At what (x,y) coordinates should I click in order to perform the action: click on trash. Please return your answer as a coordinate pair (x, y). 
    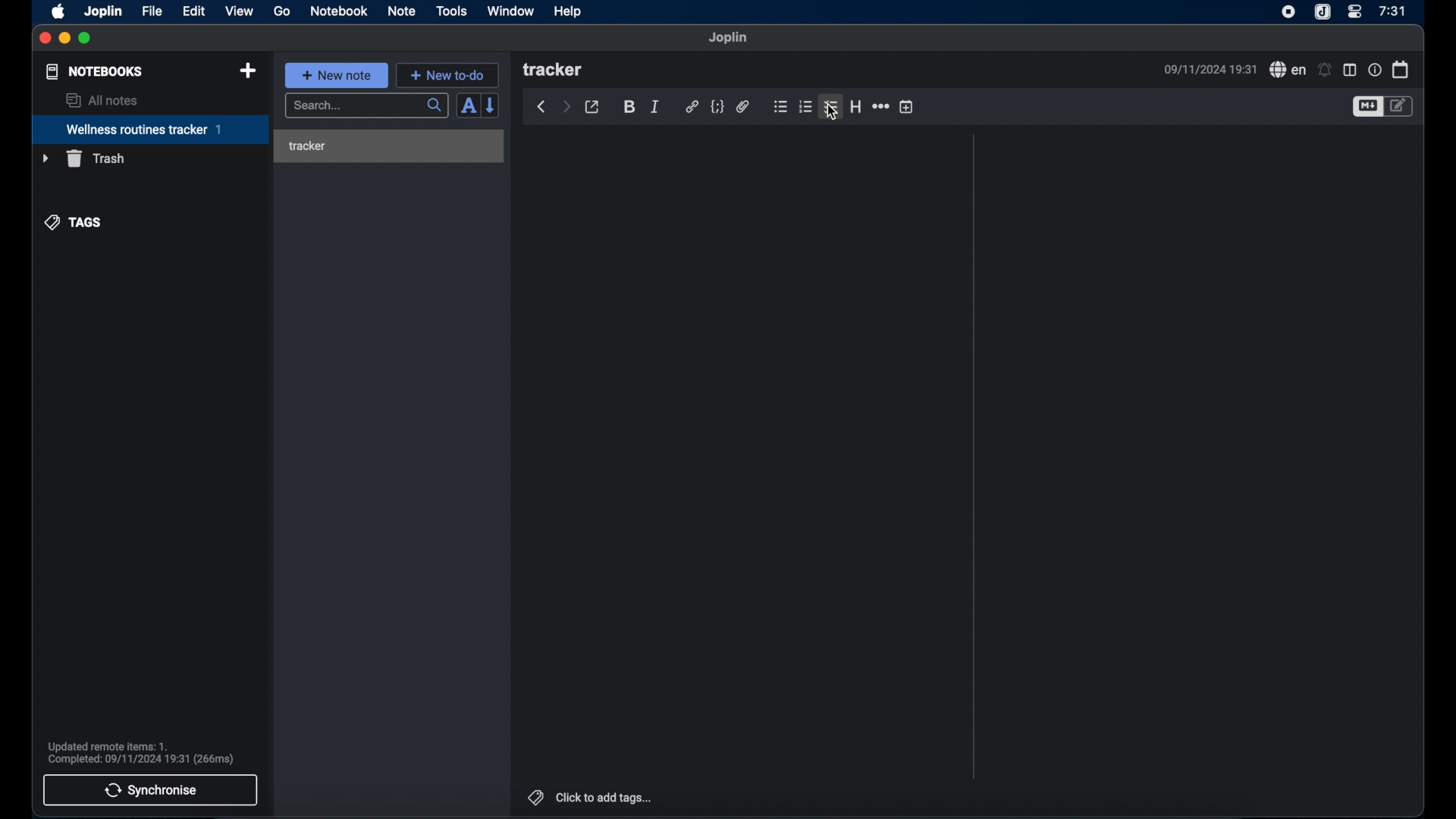
    Looking at the image, I should click on (83, 158).